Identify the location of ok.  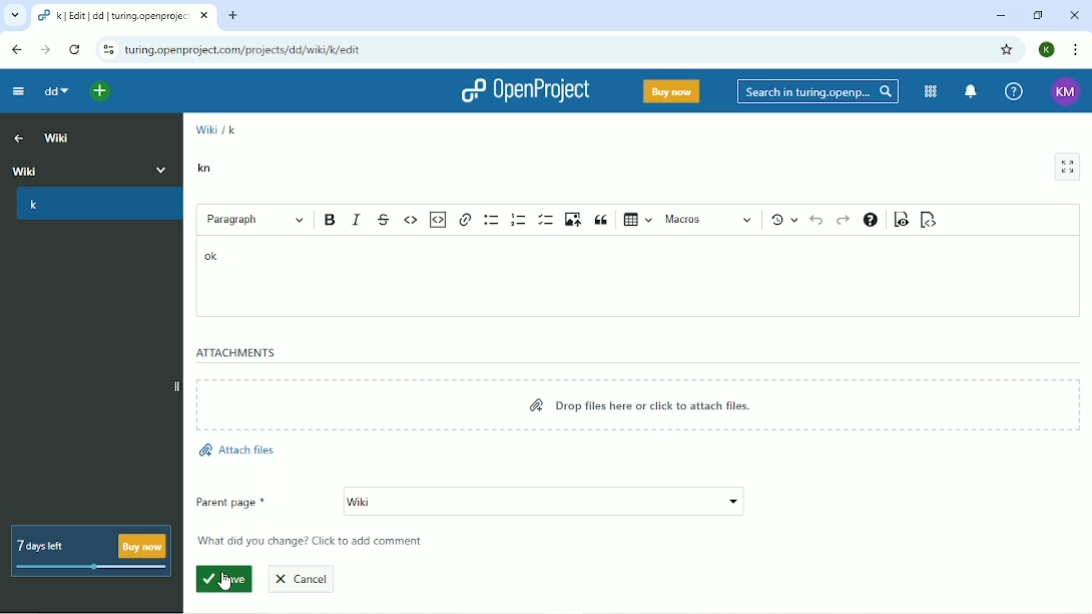
(213, 256).